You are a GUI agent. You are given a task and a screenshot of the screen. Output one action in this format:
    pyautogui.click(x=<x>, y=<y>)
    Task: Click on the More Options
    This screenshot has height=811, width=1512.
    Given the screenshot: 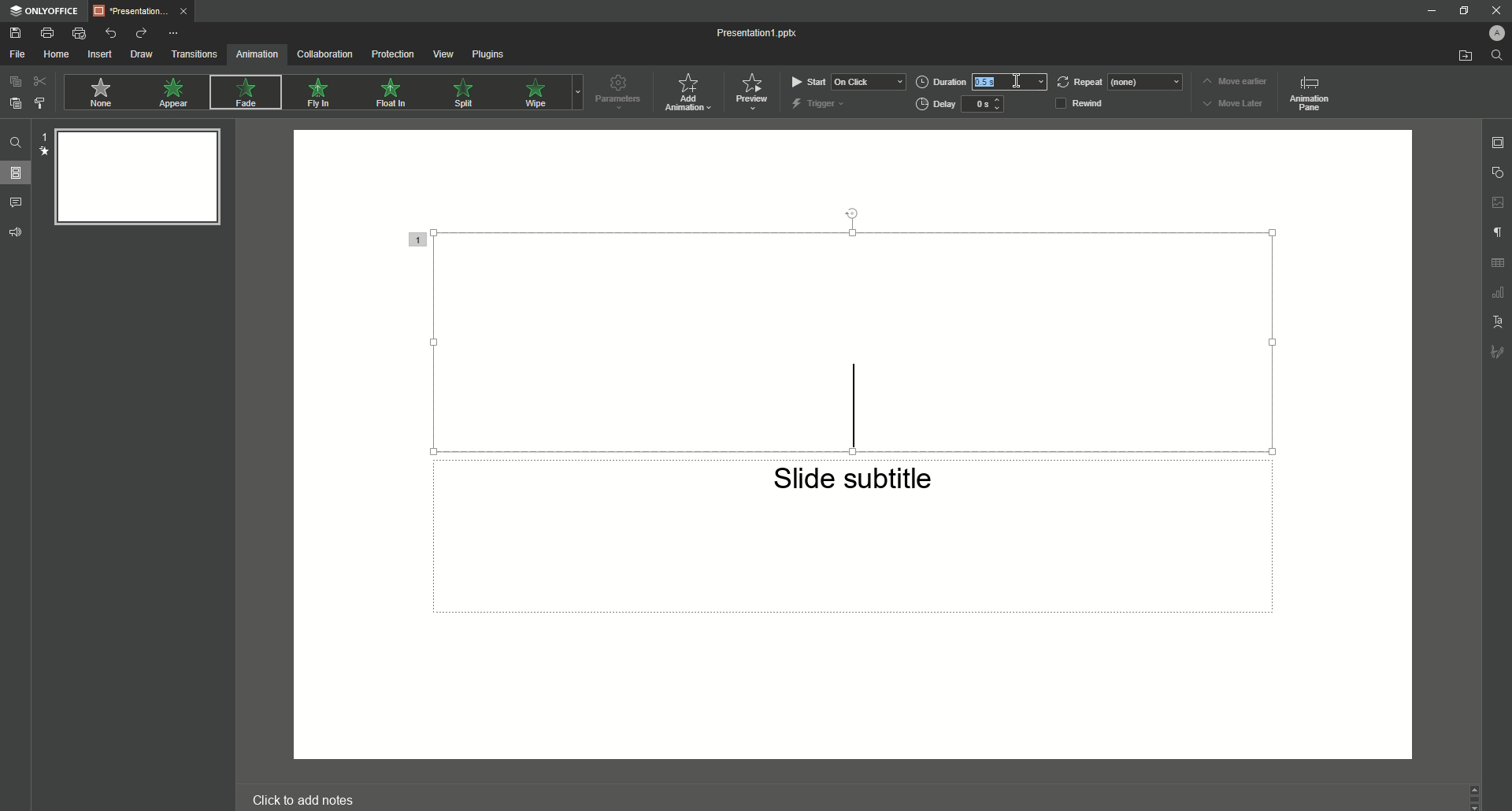 What is the action you would take?
    pyautogui.click(x=174, y=34)
    